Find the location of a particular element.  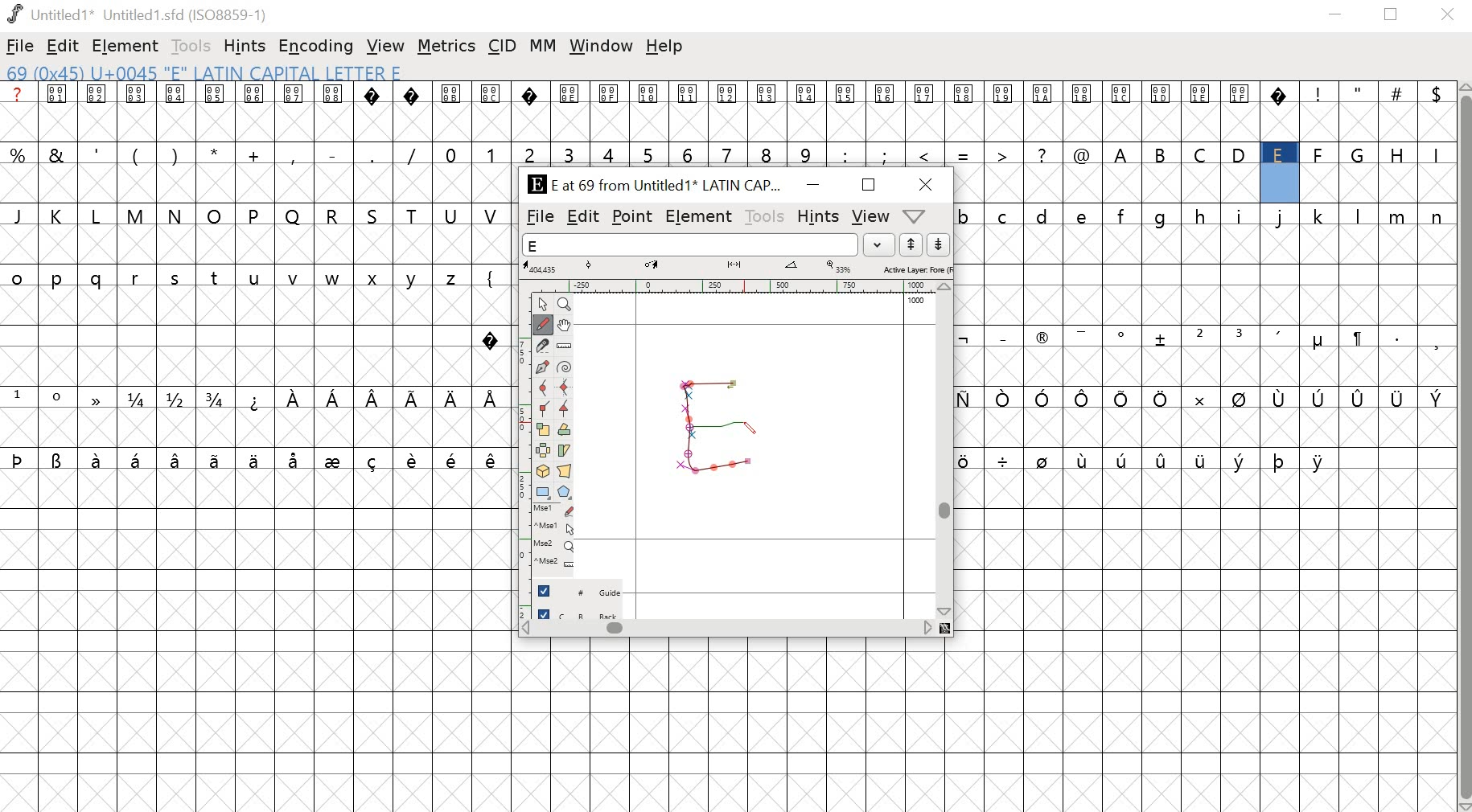

HV Curve is located at coordinates (565, 388).